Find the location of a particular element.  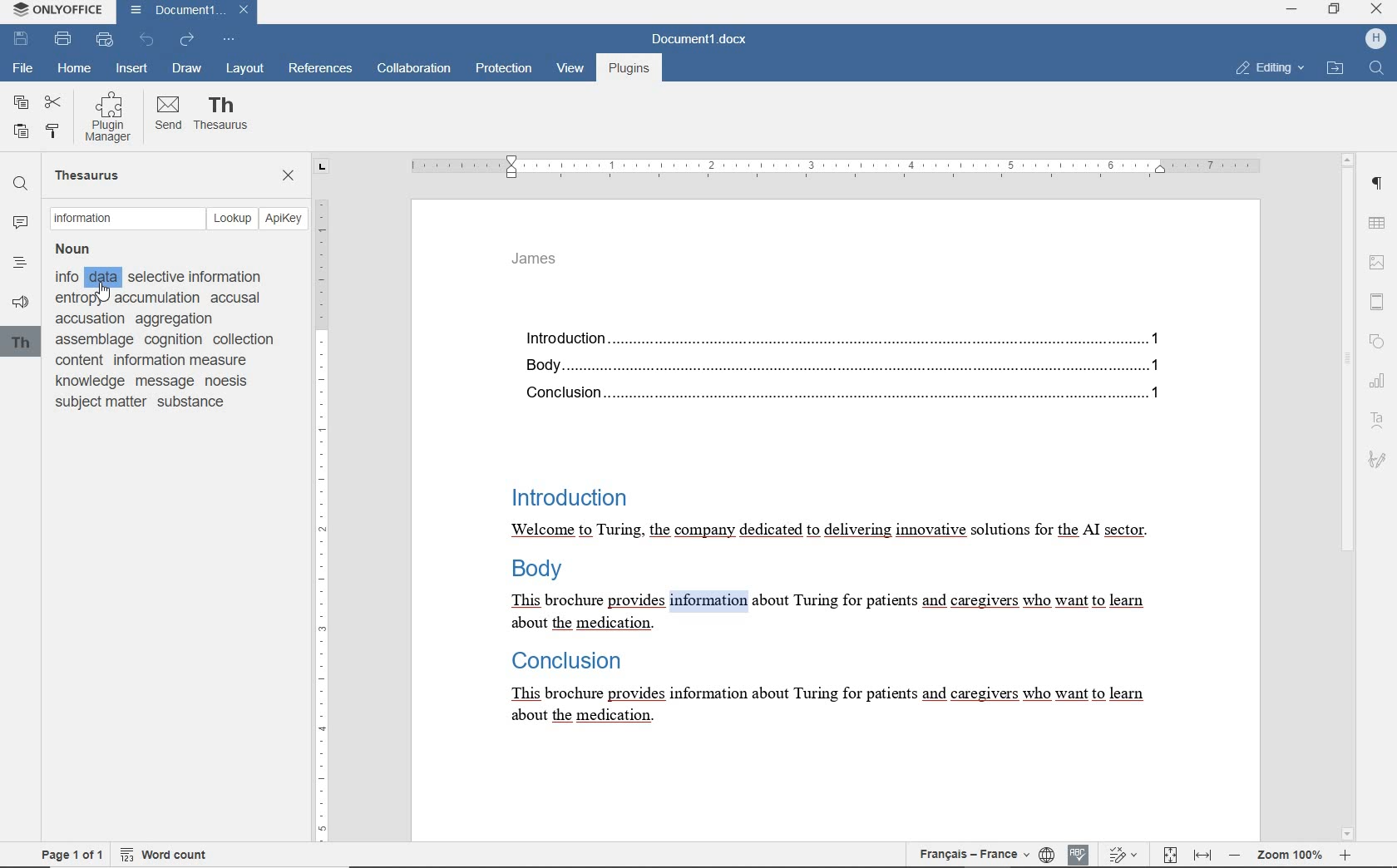

SEND is located at coordinates (168, 116).